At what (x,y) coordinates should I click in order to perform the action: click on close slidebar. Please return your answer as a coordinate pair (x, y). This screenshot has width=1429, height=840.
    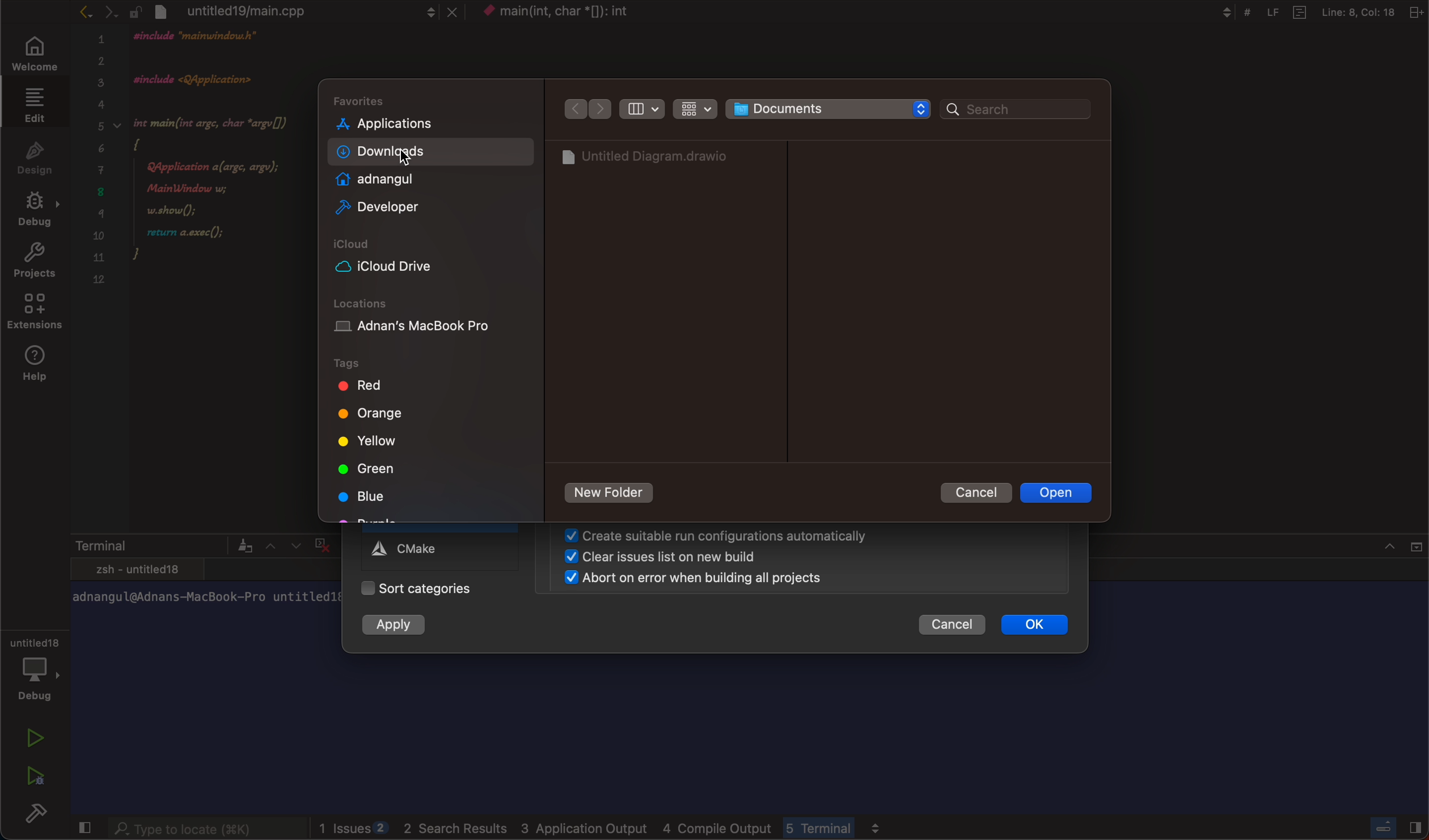
    Looking at the image, I should click on (80, 827).